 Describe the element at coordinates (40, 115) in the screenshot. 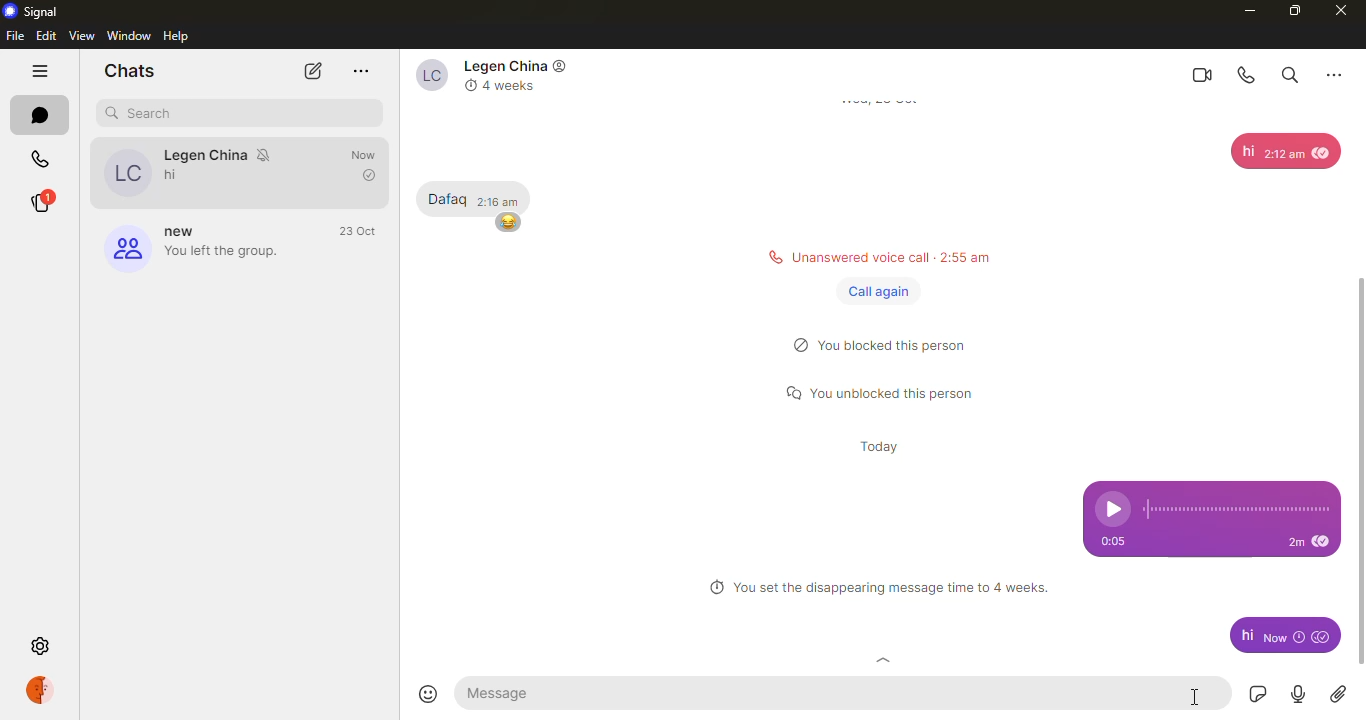

I see `chats` at that location.